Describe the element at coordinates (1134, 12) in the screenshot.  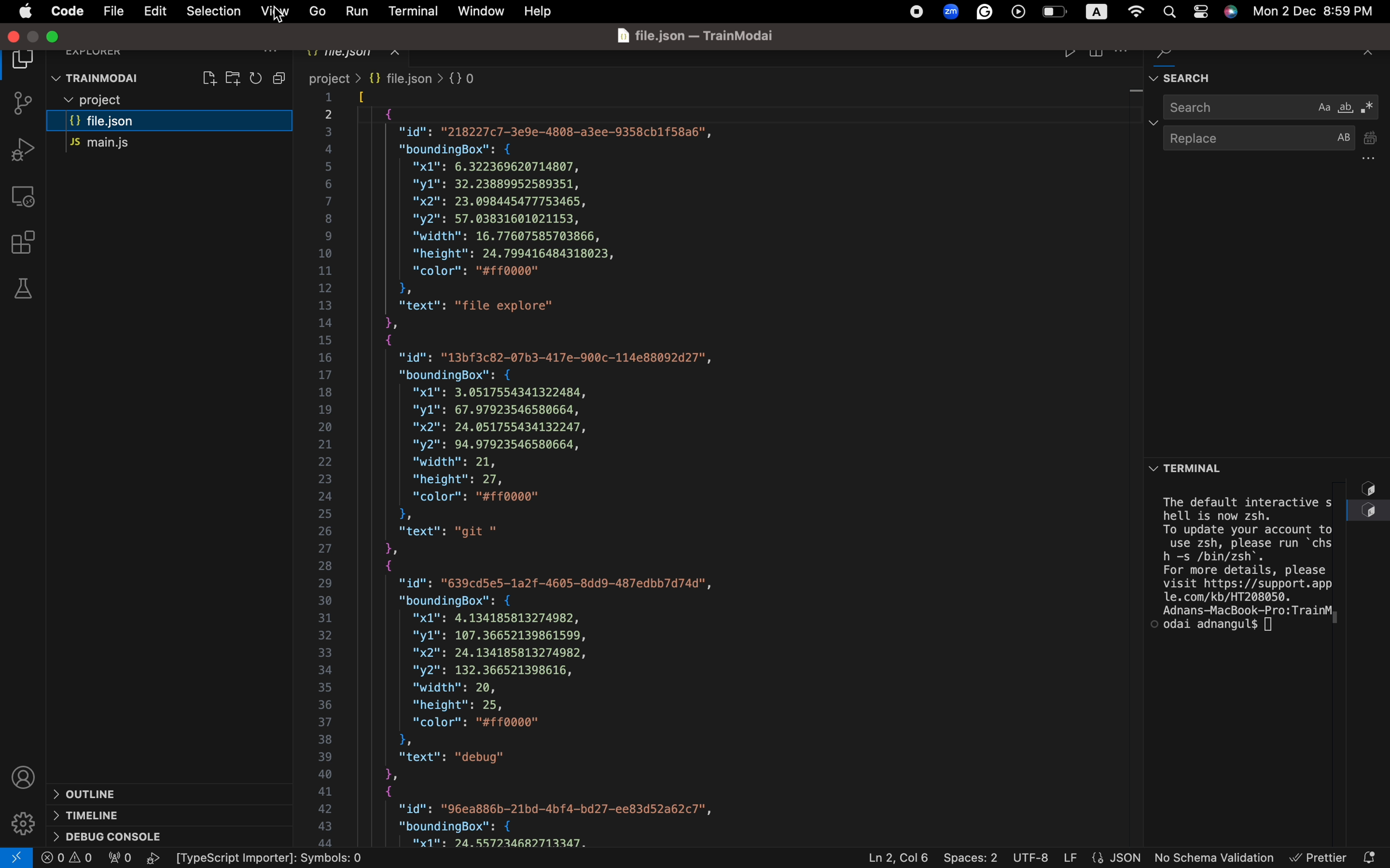
I see `global settings` at that location.